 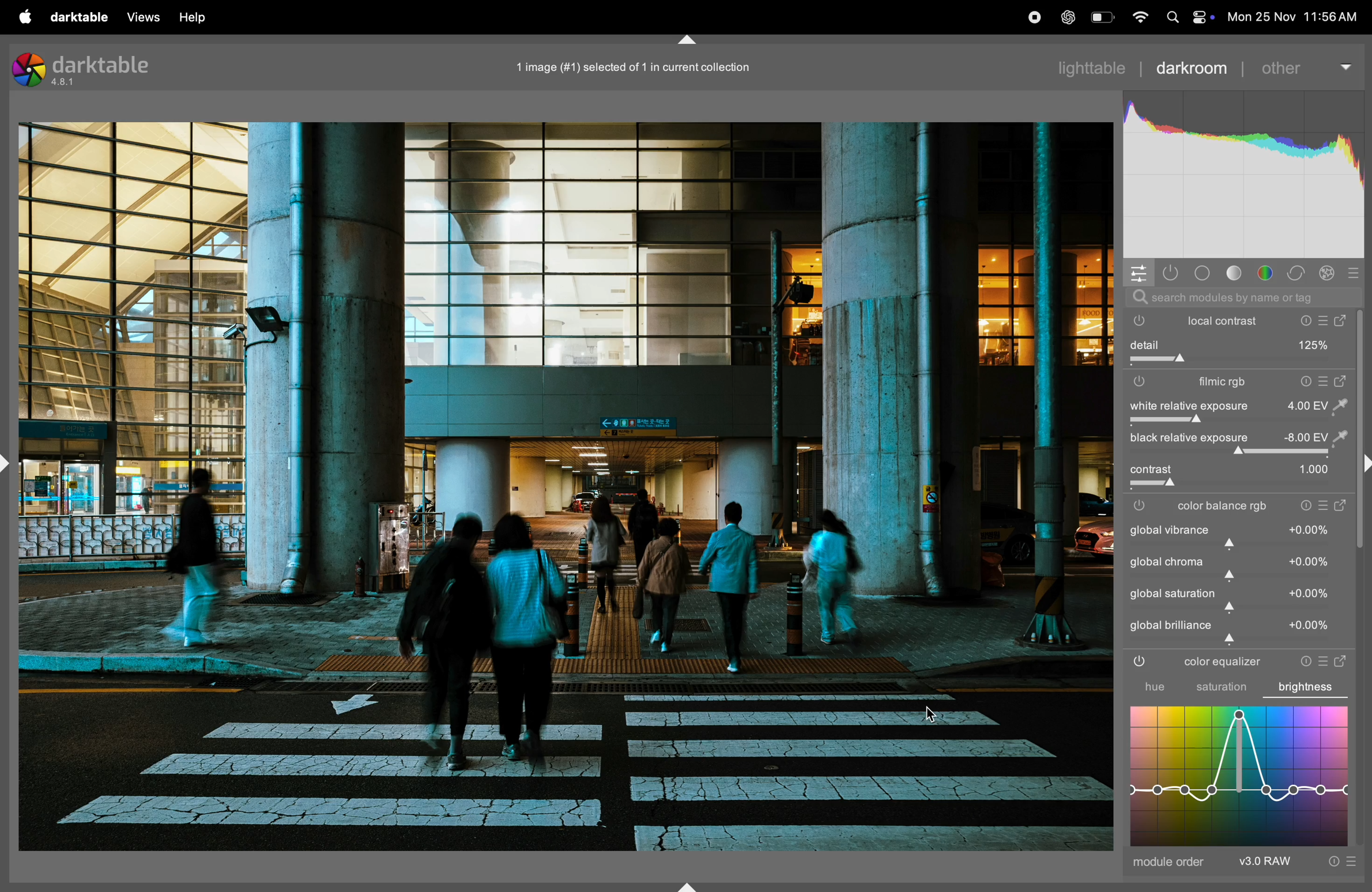 I want to click on filmic rgb switch off, so click(x=1143, y=506).